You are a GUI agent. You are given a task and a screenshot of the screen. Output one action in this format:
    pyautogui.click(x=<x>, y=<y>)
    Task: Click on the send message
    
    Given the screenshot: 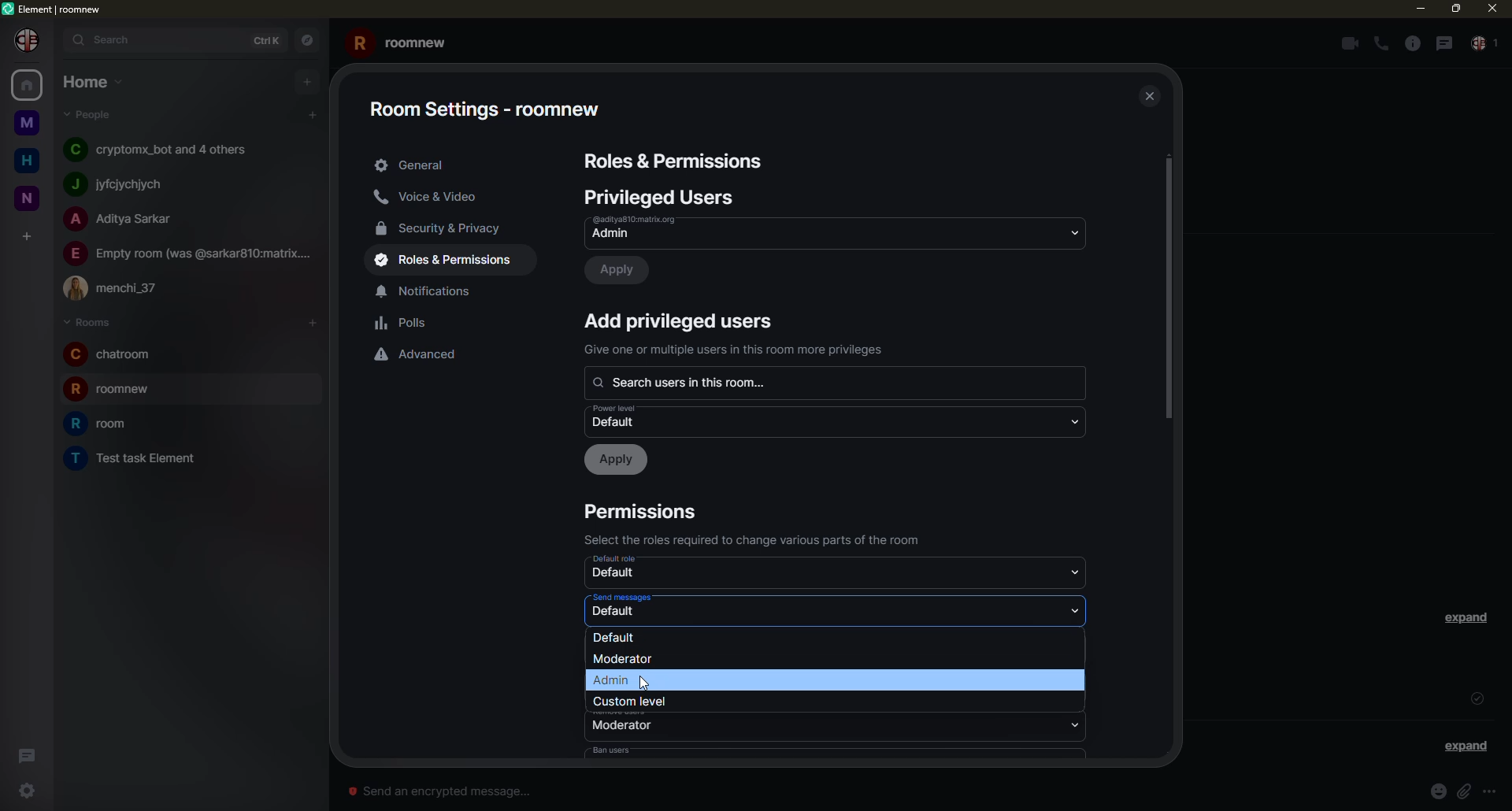 What is the action you would take?
    pyautogui.click(x=443, y=791)
    